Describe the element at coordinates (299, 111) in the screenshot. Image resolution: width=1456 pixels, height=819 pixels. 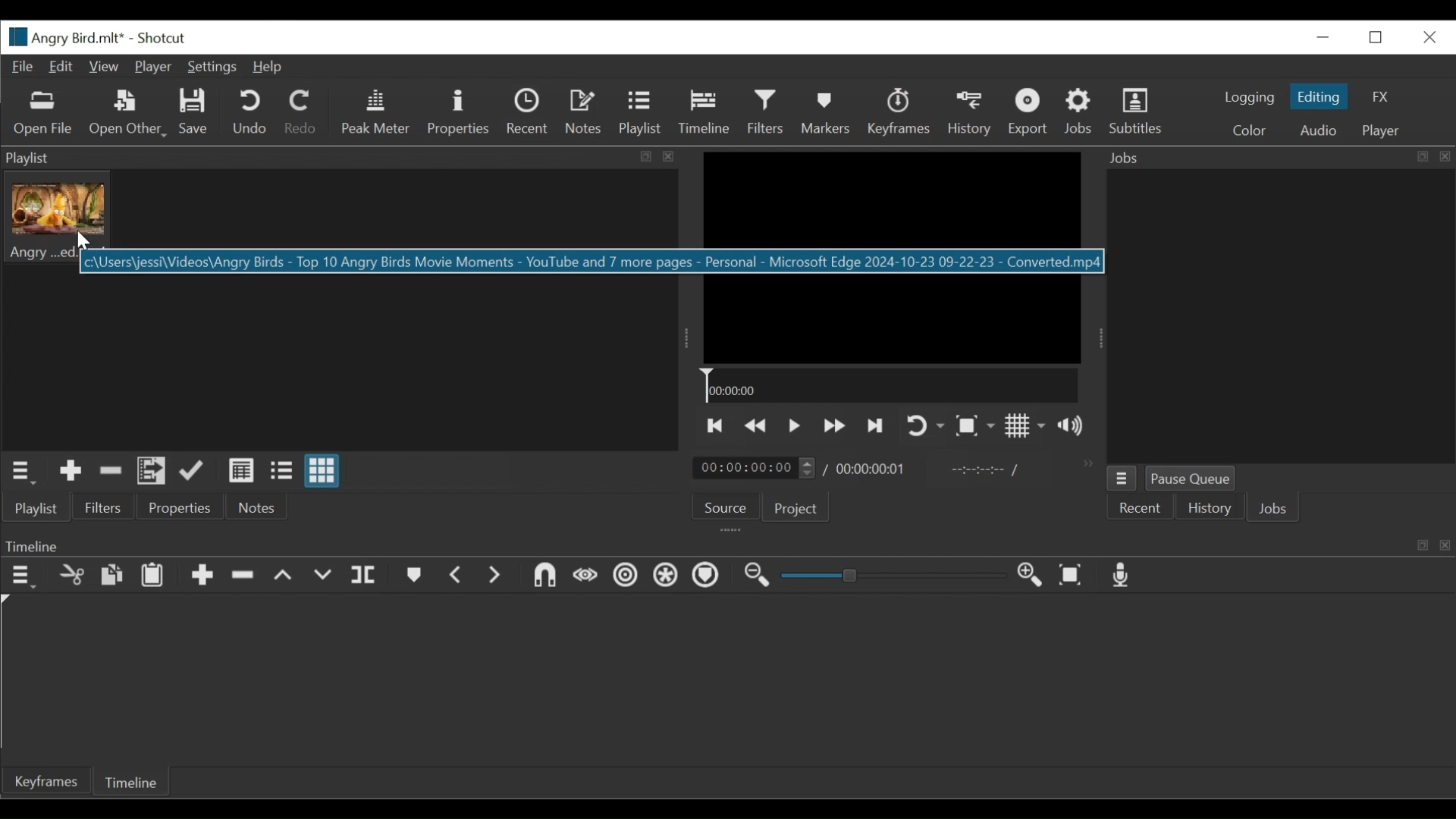
I see `Redo` at that location.